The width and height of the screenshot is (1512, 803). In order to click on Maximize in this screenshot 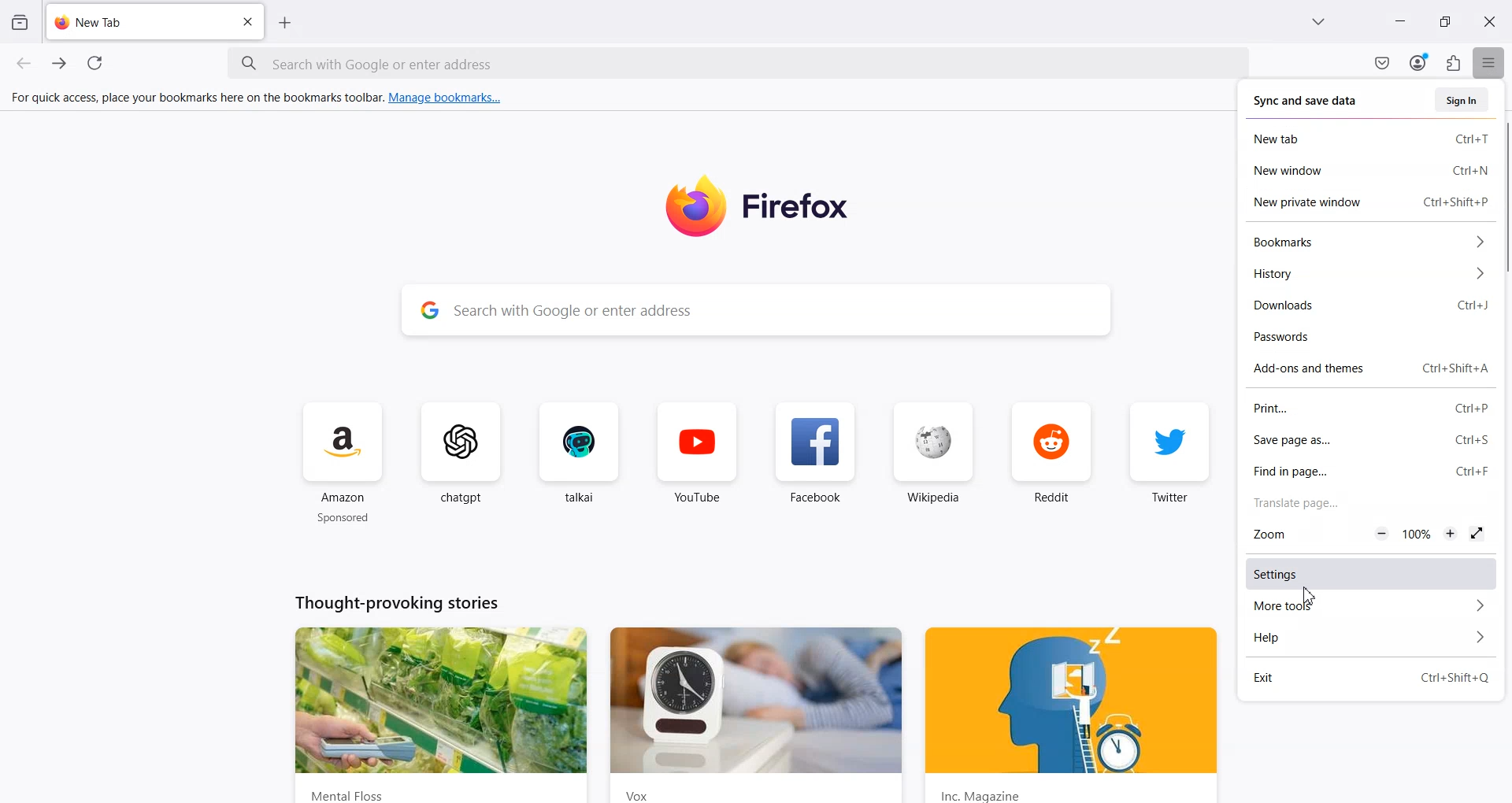, I will do `click(1445, 22)`.